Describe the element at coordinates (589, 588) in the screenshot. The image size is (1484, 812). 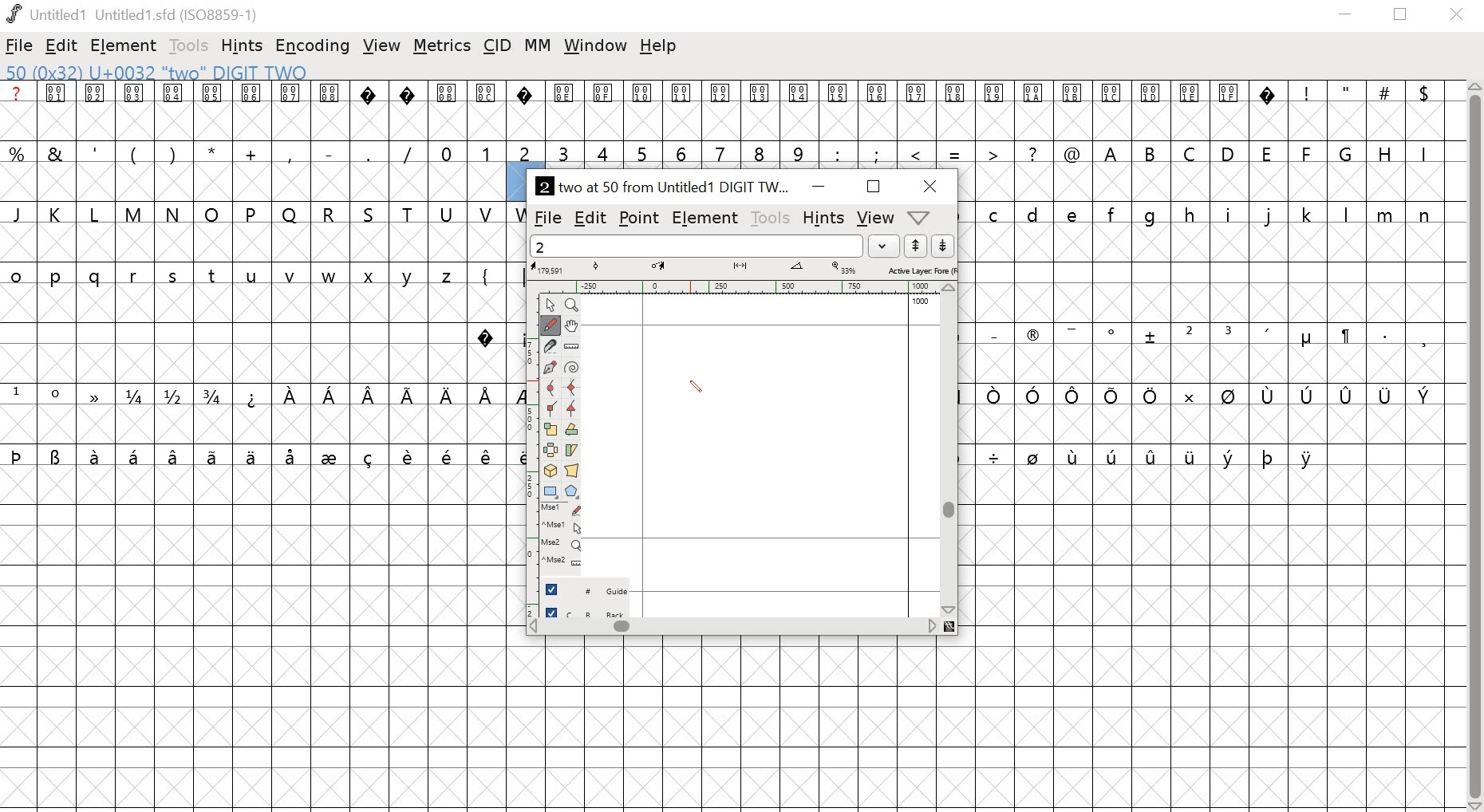
I see `guide` at that location.